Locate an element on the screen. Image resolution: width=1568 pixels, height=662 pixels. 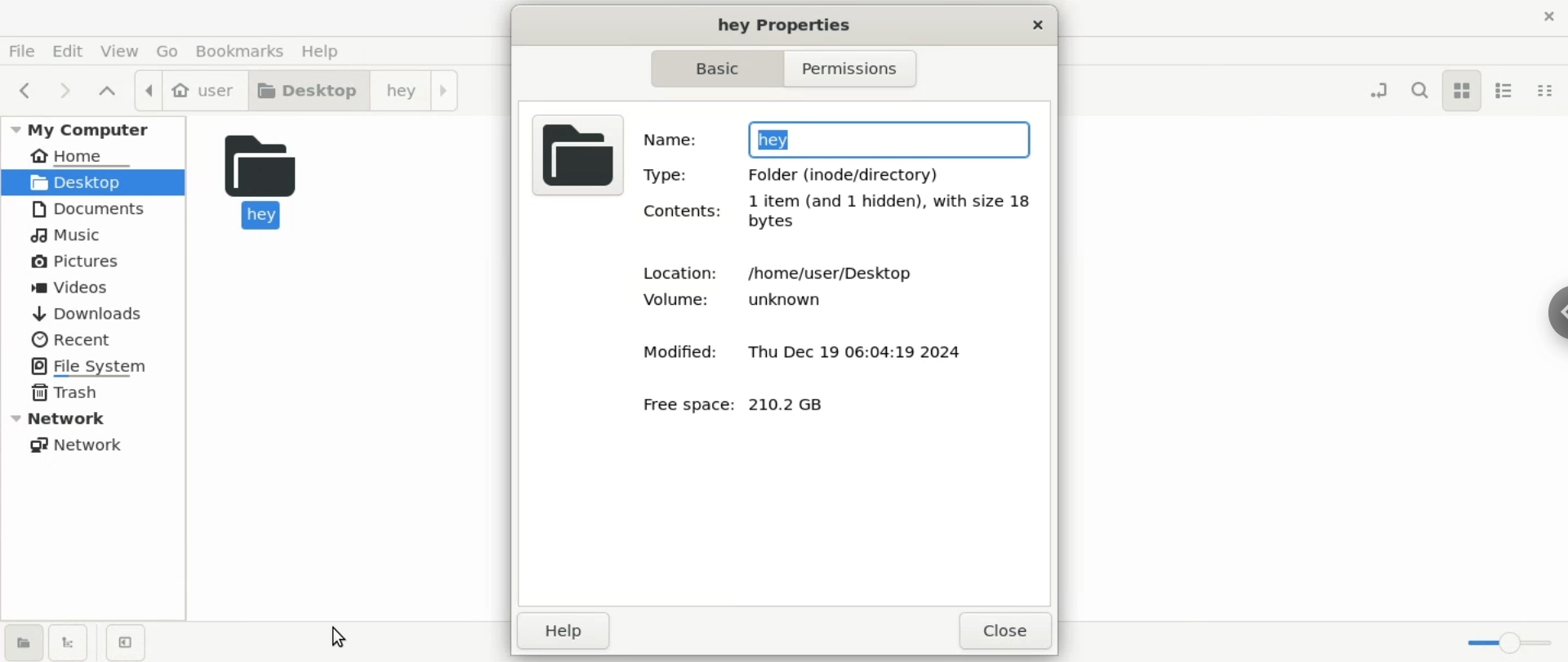
show places is located at coordinates (24, 643).